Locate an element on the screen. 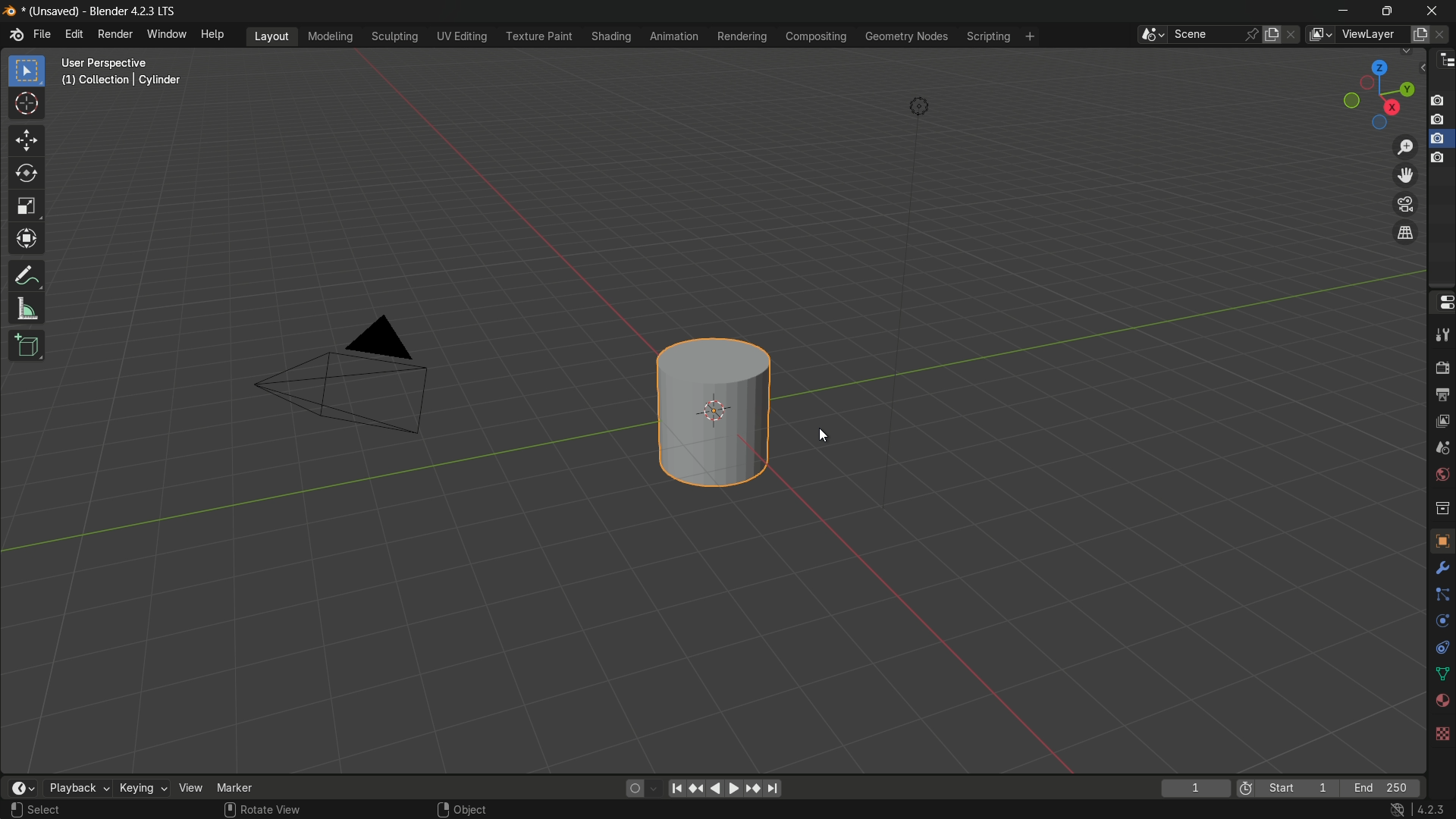 The height and width of the screenshot is (819, 1456). jump to endpoint is located at coordinates (774, 789).